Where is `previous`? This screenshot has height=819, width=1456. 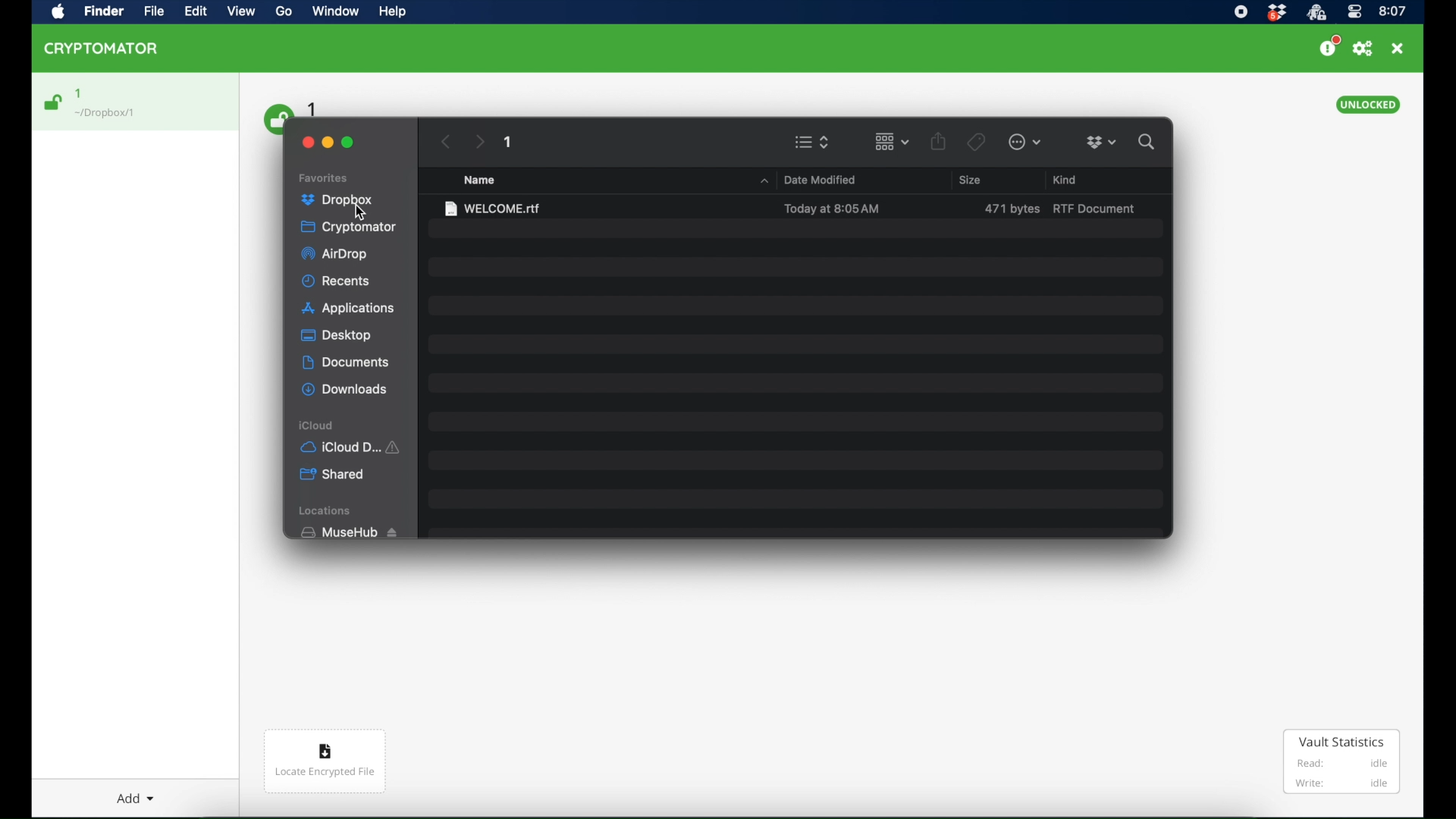
previous is located at coordinates (446, 141).